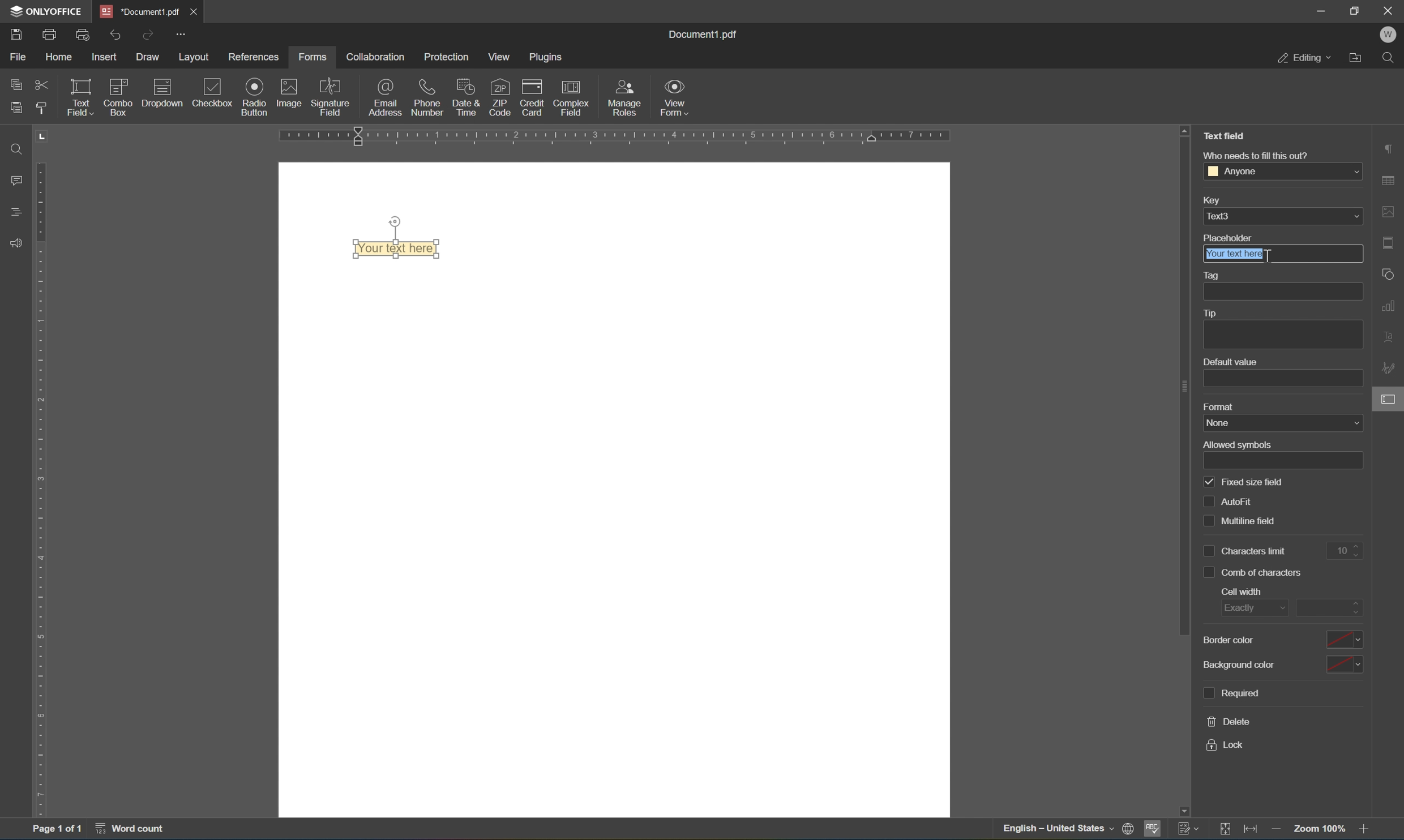  I want to click on collaboration, so click(378, 57).